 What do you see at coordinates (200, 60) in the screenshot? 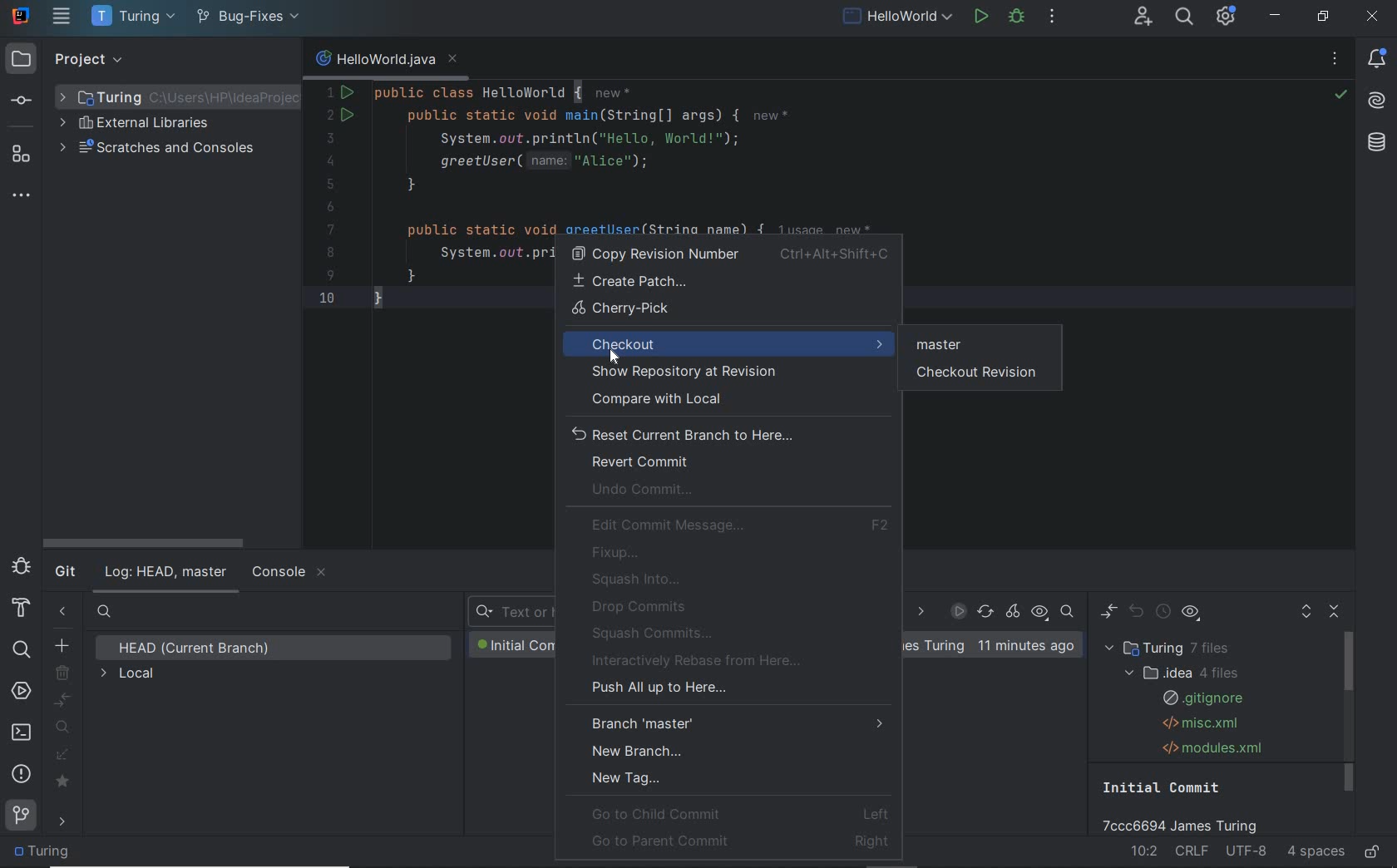
I see `expand` at bounding box center [200, 60].